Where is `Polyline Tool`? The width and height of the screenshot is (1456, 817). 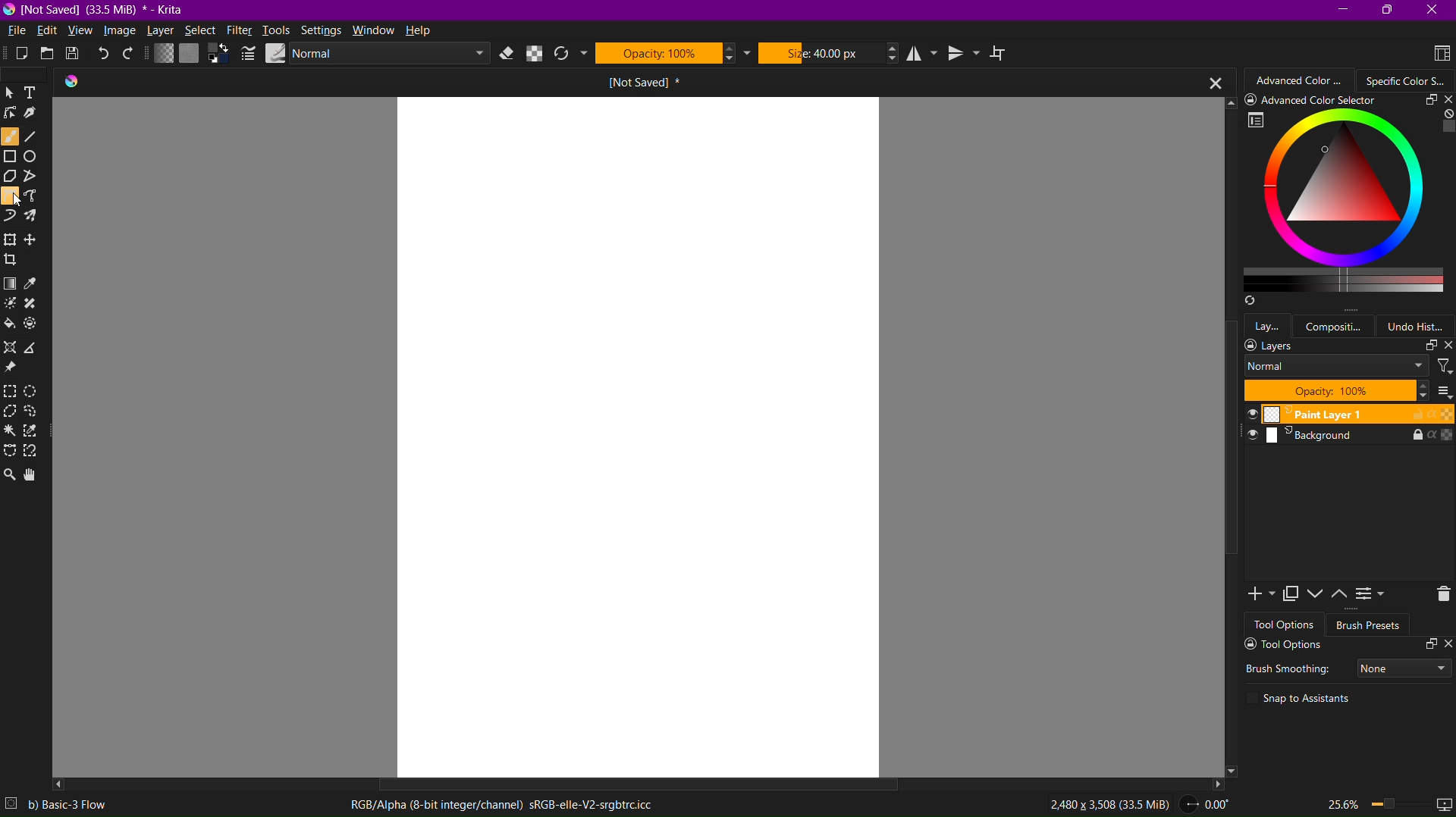 Polyline Tool is located at coordinates (37, 178).